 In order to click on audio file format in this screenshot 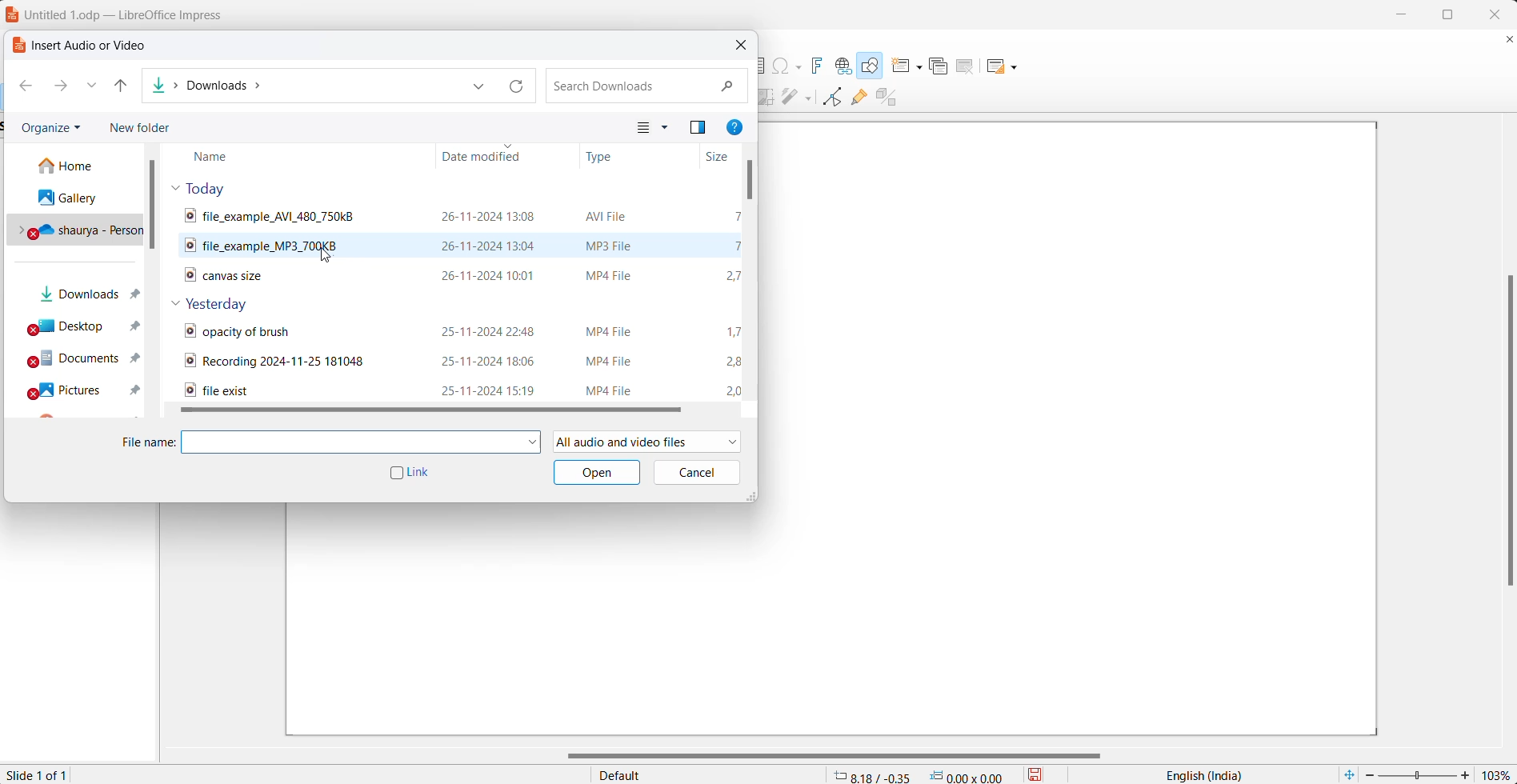, I will do `click(622, 242)`.